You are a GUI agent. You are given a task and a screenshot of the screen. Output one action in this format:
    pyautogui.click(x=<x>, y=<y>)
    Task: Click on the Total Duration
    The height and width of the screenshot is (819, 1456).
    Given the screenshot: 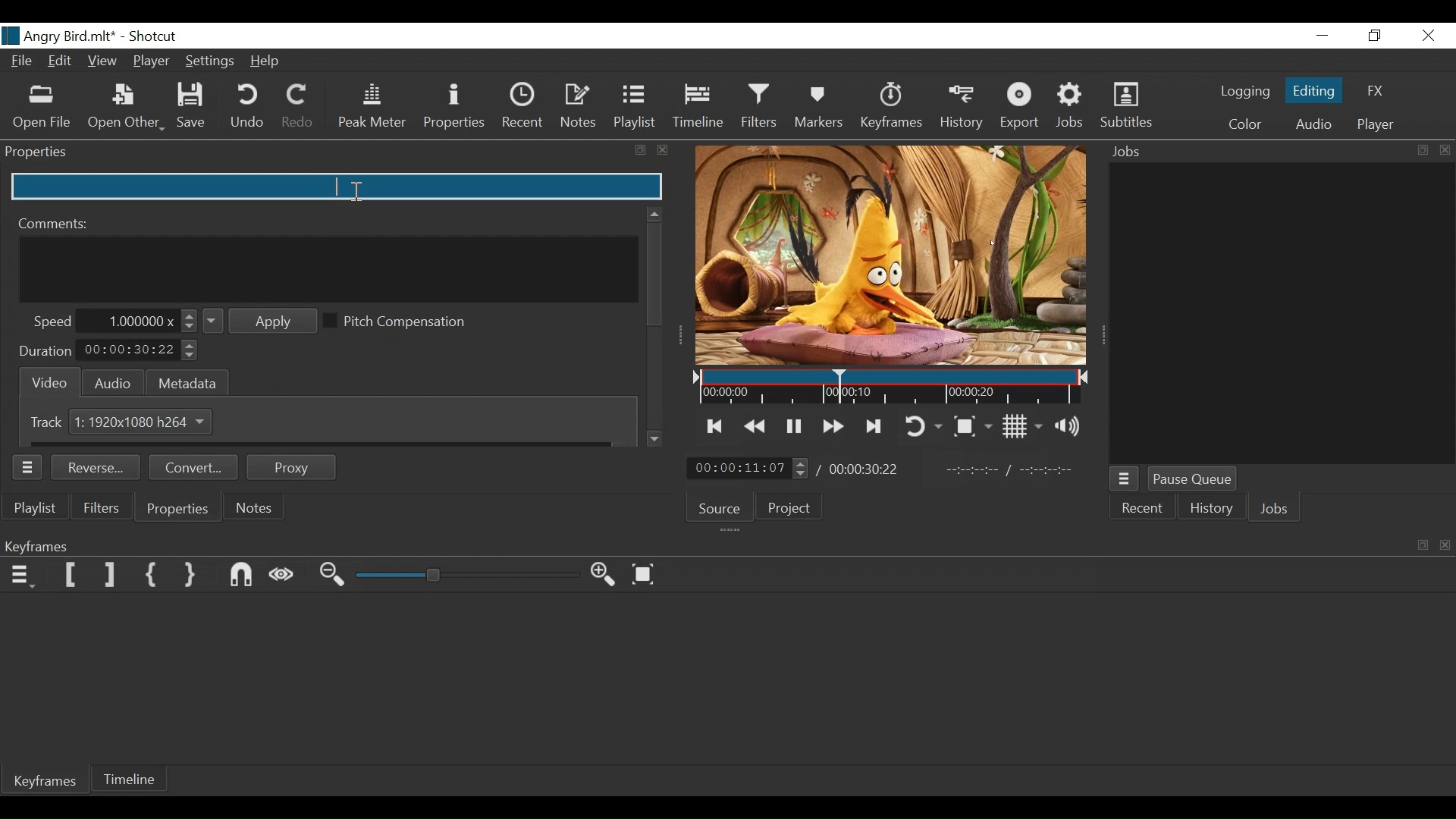 What is the action you would take?
    pyautogui.click(x=866, y=471)
    